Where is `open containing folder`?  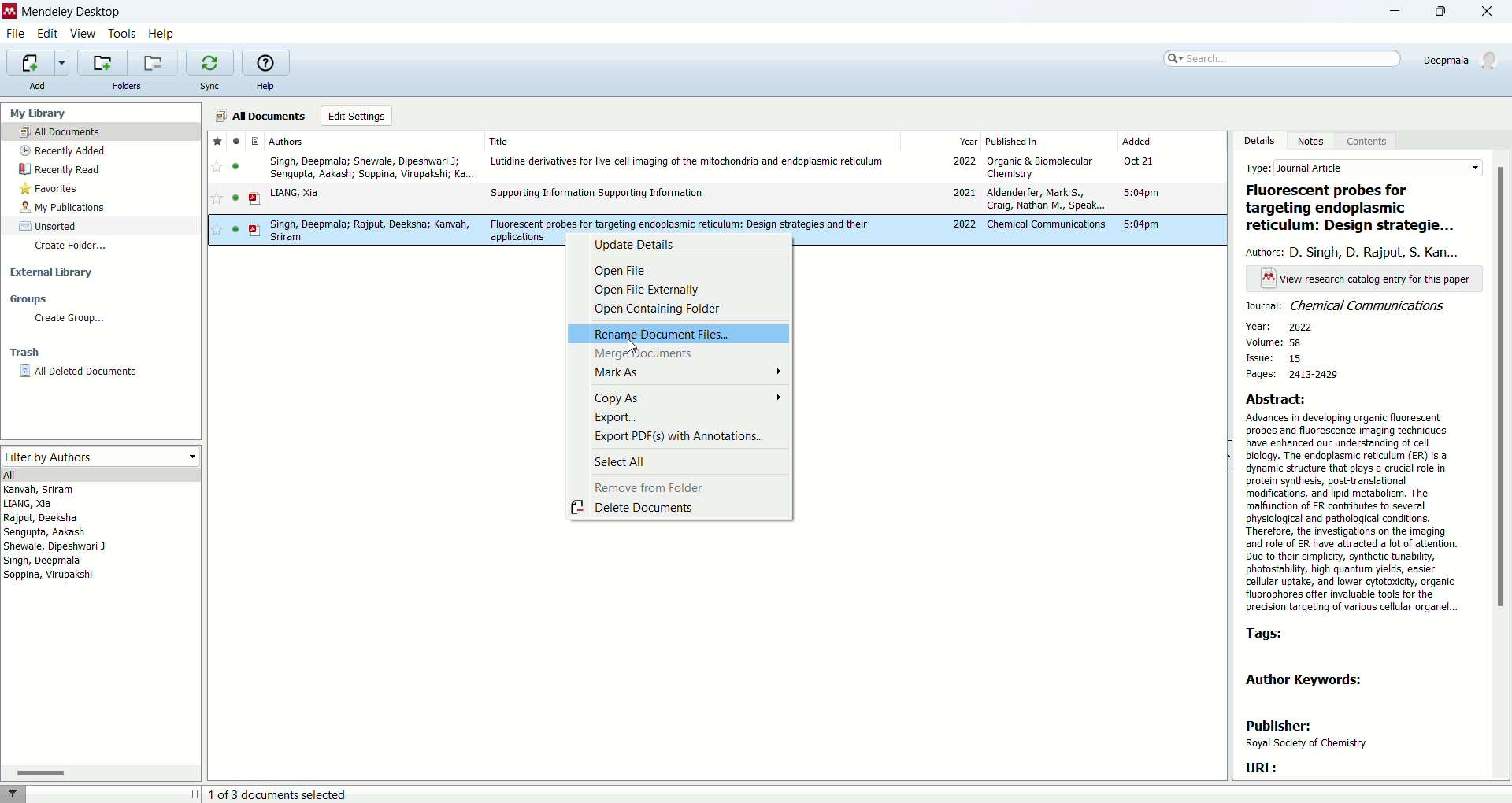 open containing folder is located at coordinates (681, 309).